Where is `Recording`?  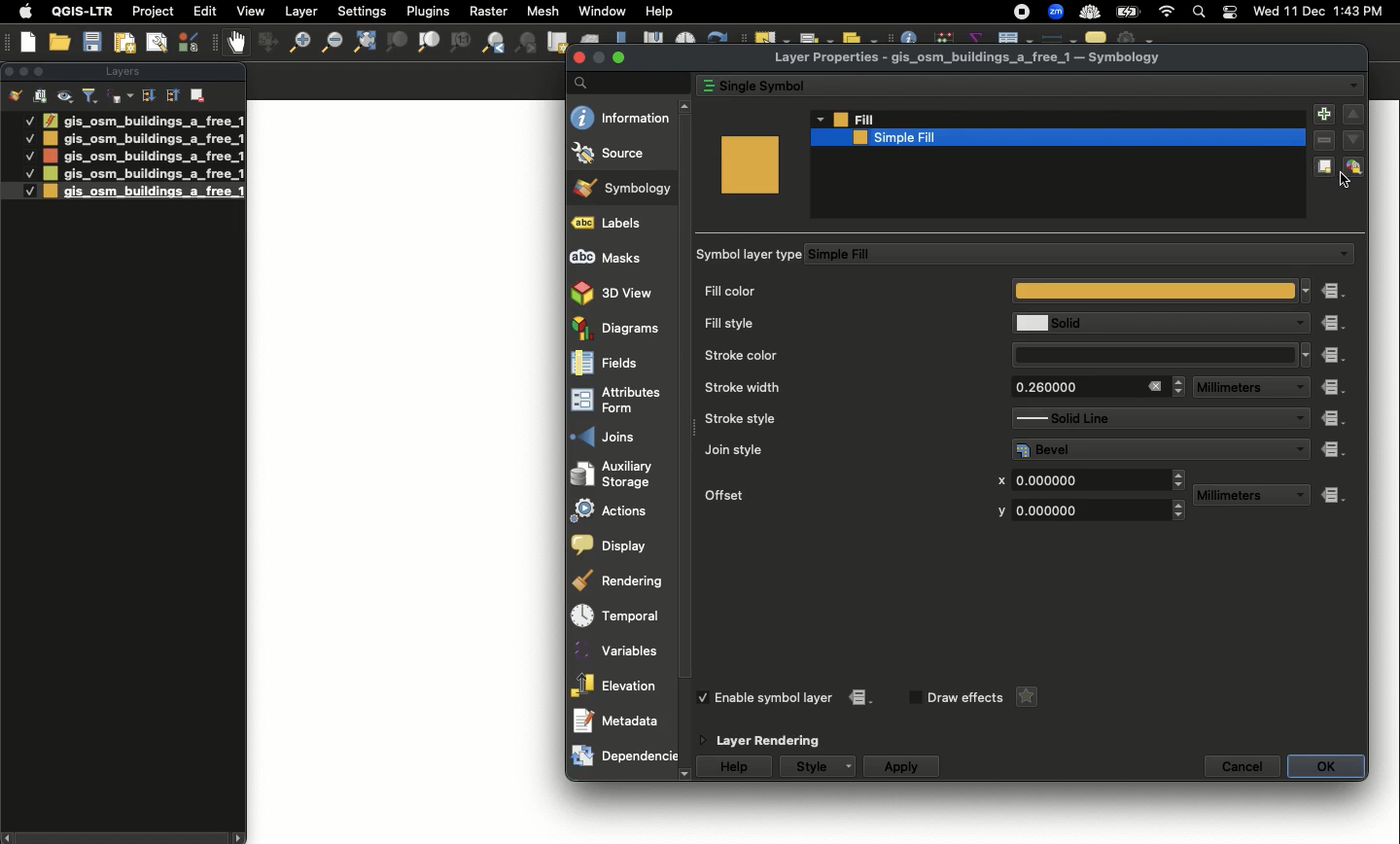 Recording is located at coordinates (1022, 13).